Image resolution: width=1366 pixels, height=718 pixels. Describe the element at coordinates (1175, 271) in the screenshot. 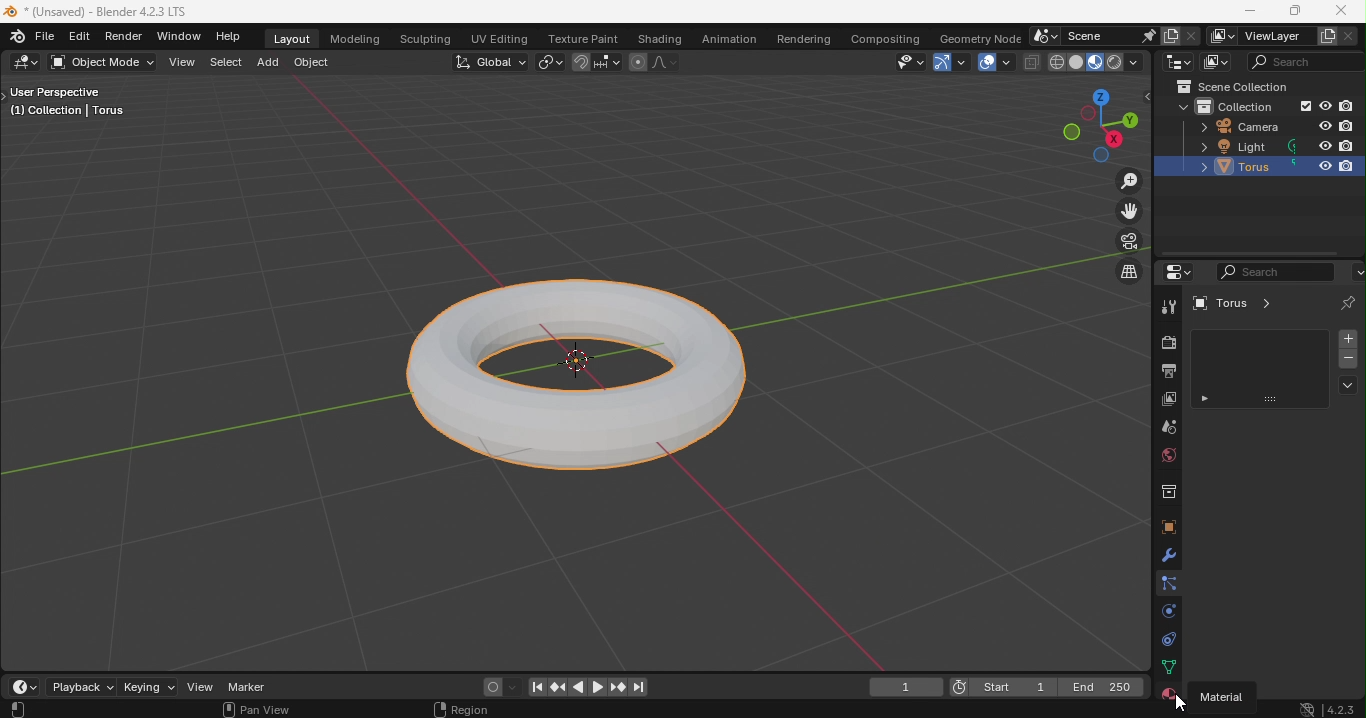

I see `Editor type` at that location.